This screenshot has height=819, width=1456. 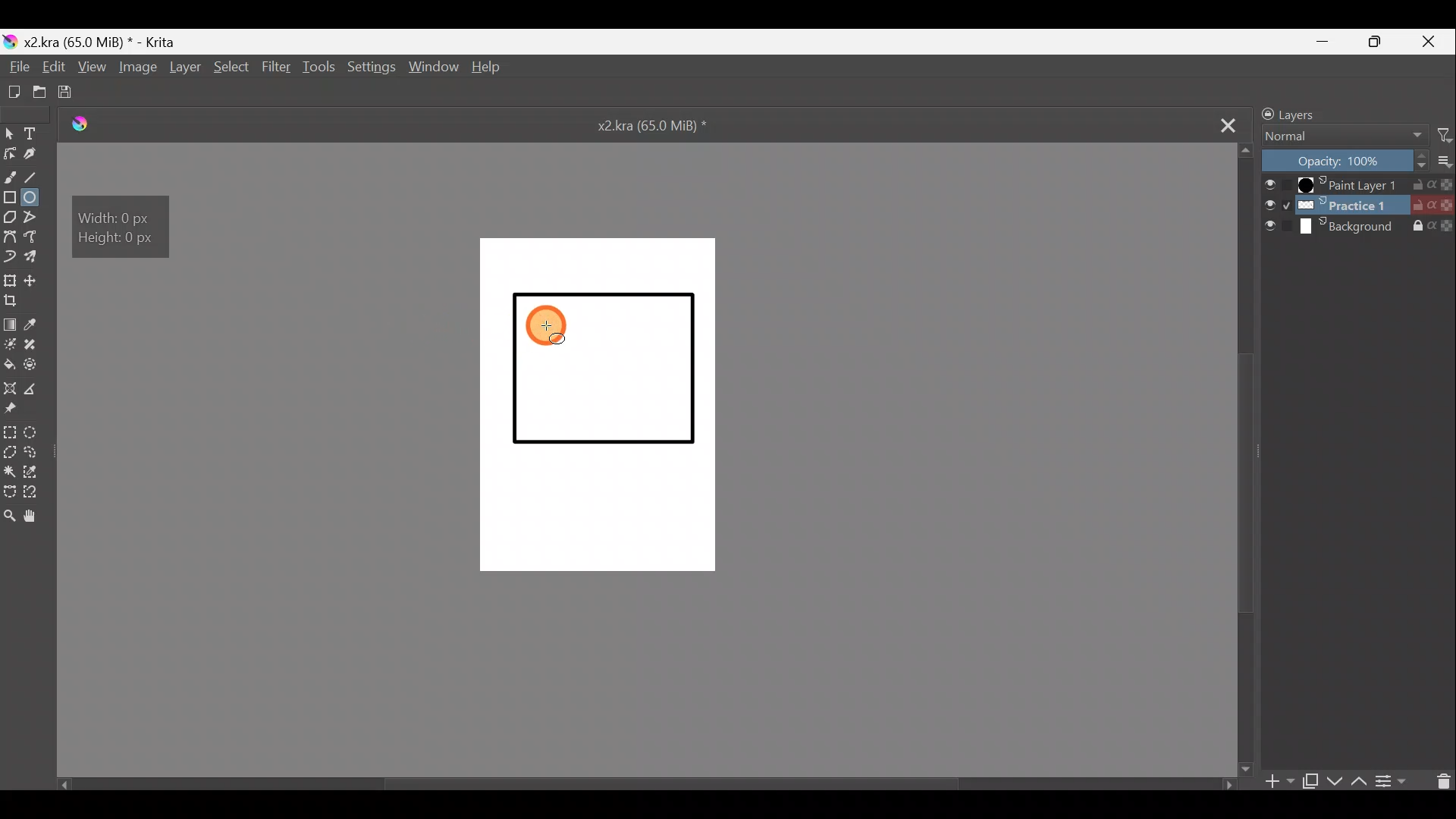 What do you see at coordinates (14, 89) in the screenshot?
I see `Create a new document` at bounding box center [14, 89].